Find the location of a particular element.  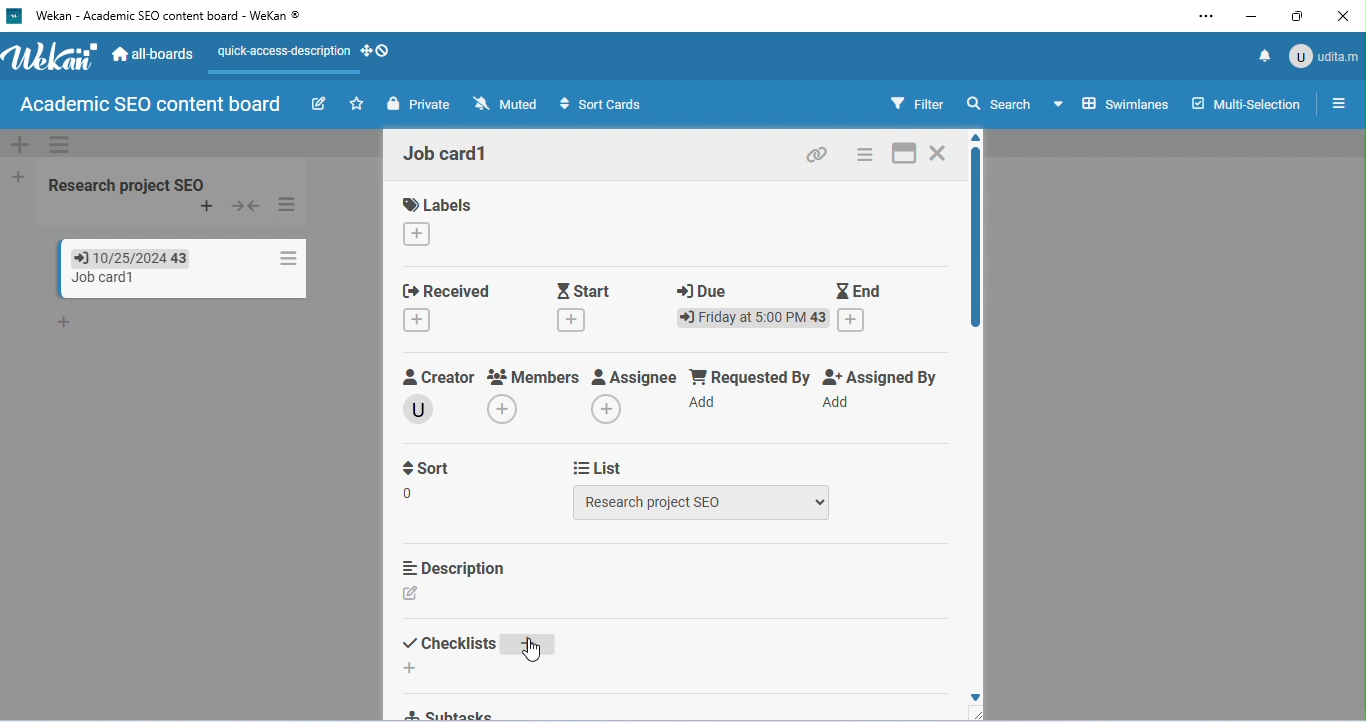

subtasks is located at coordinates (447, 714).